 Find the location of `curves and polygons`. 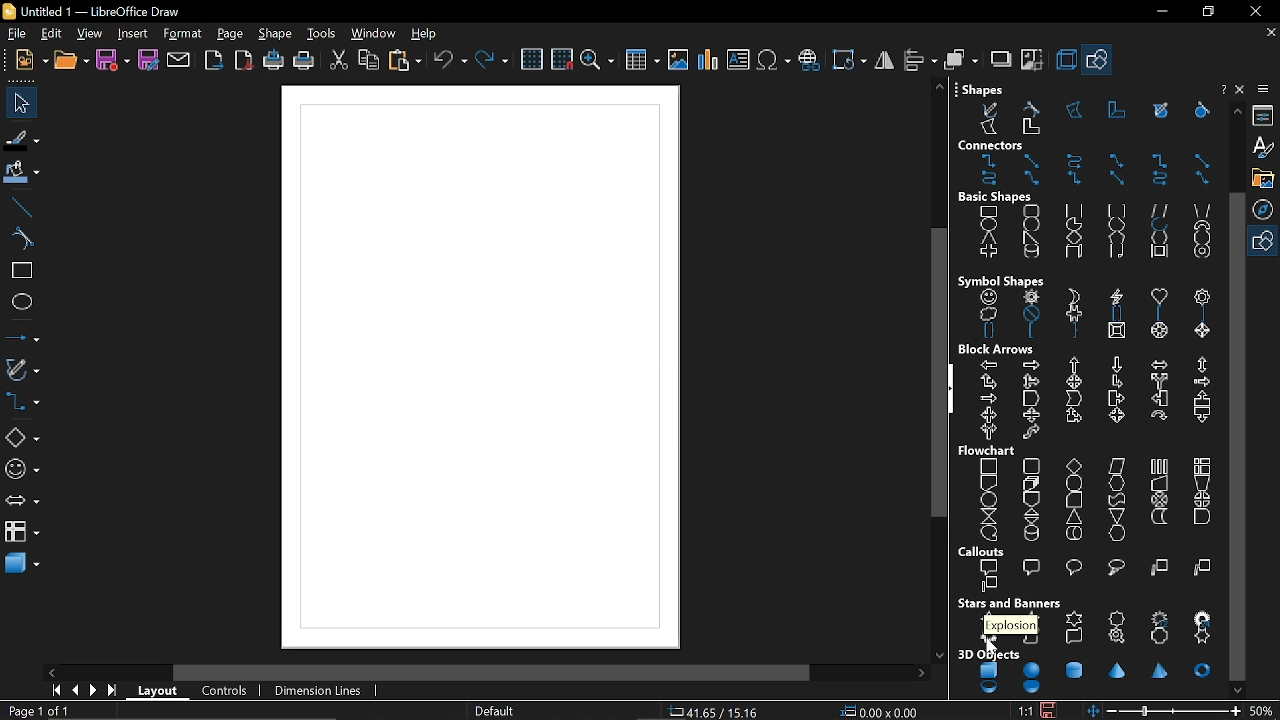

curves and polygons is located at coordinates (21, 371).